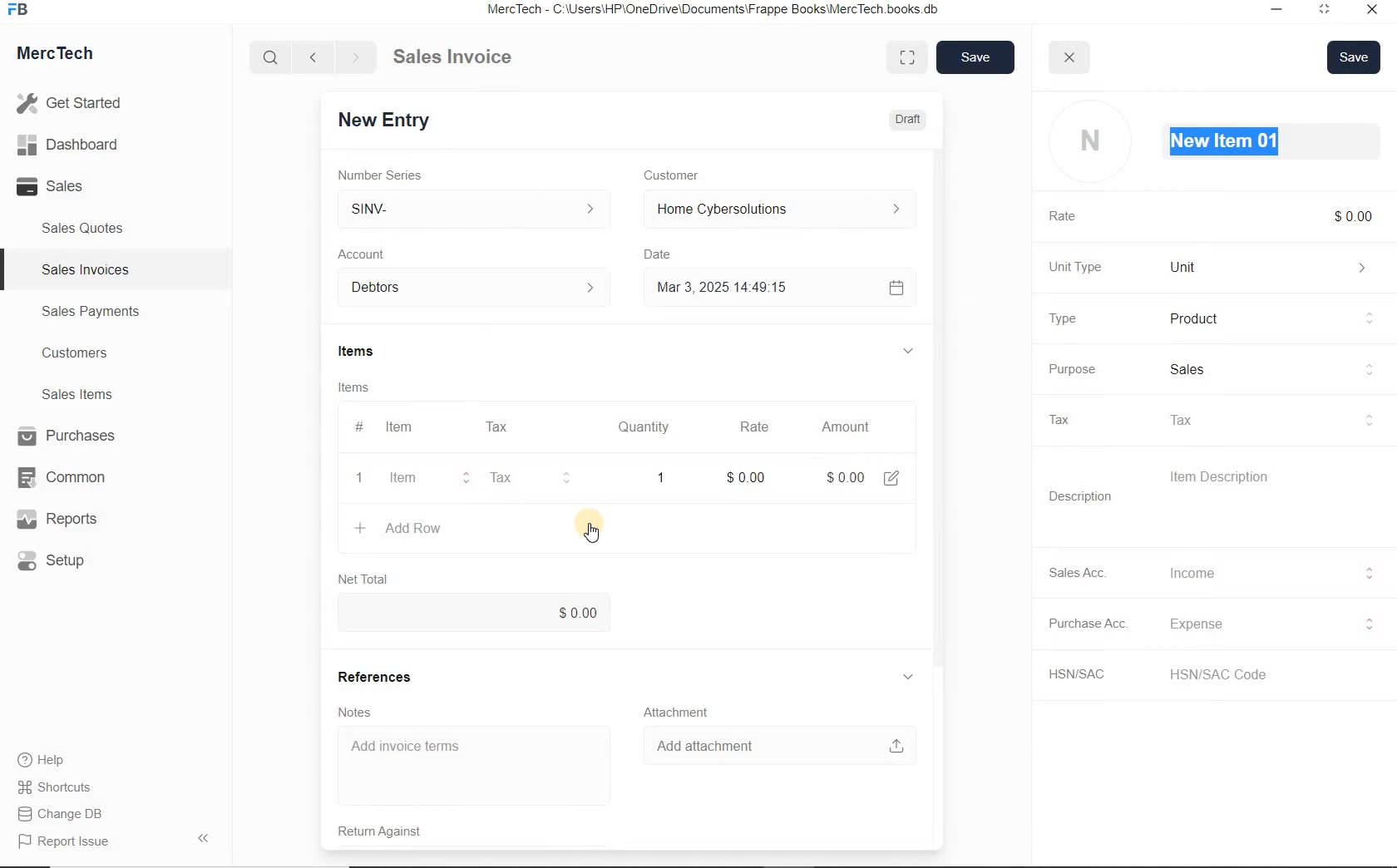 The height and width of the screenshot is (868, 1397). I want to click on Hide Sidebar, so click(202, 837).